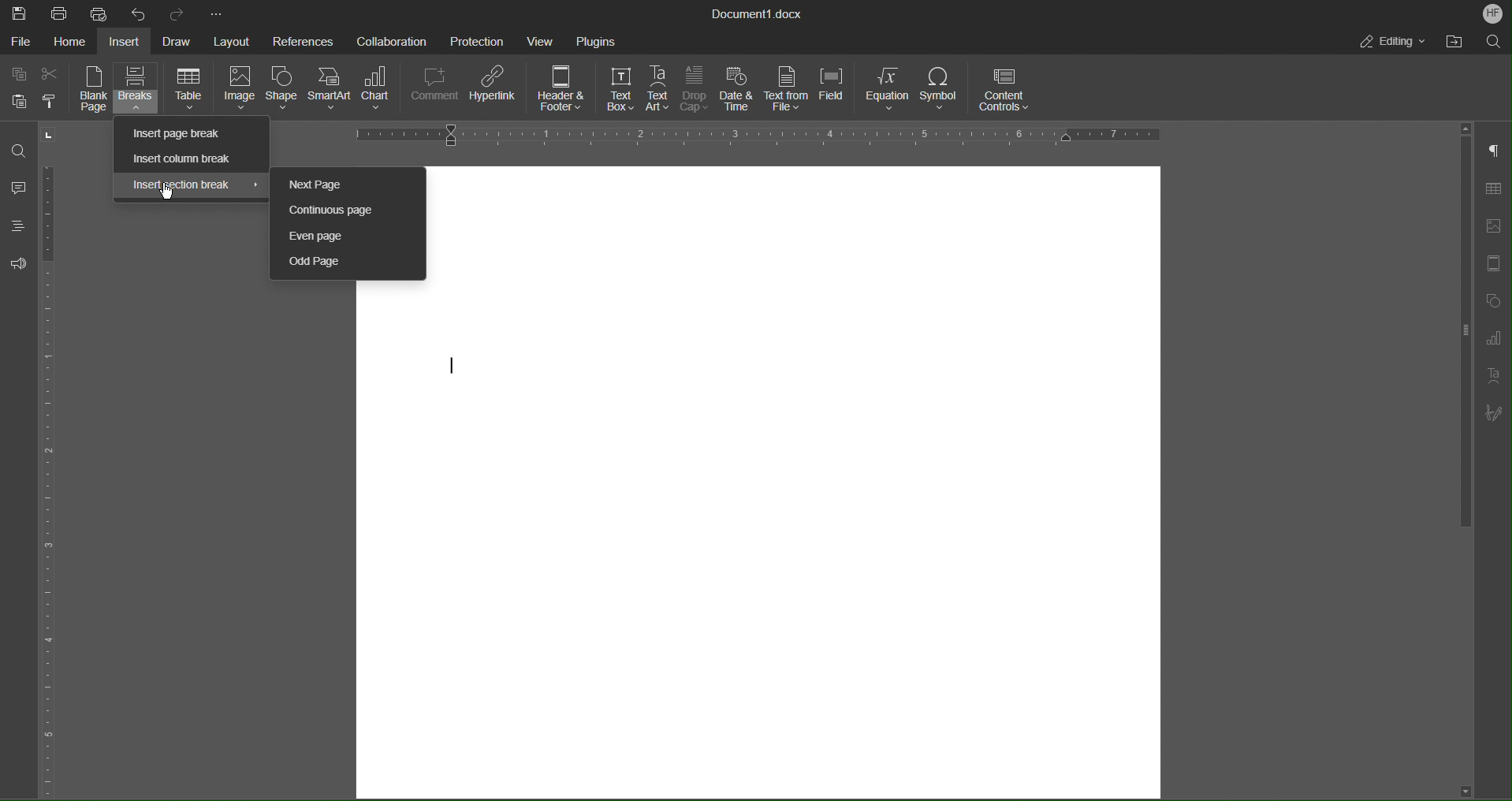 Image resolution: width=1512 pixels, height=801 pixels. What do you see at coordinates (51, 74) in the screenshot?
I see `Cut` at bounding box center [51, 74].